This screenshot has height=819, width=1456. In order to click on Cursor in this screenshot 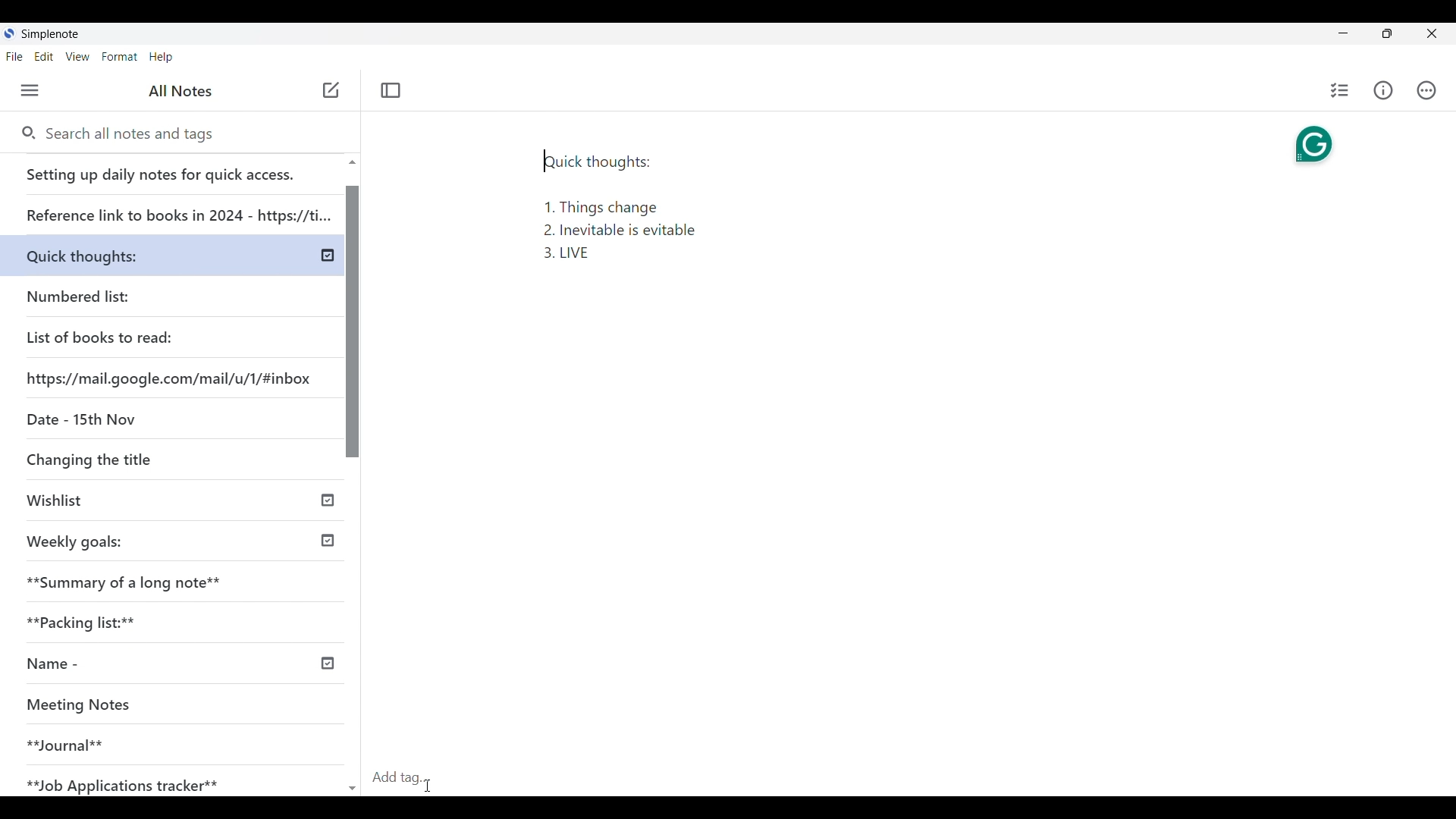, I will do `click(428, 786)`.